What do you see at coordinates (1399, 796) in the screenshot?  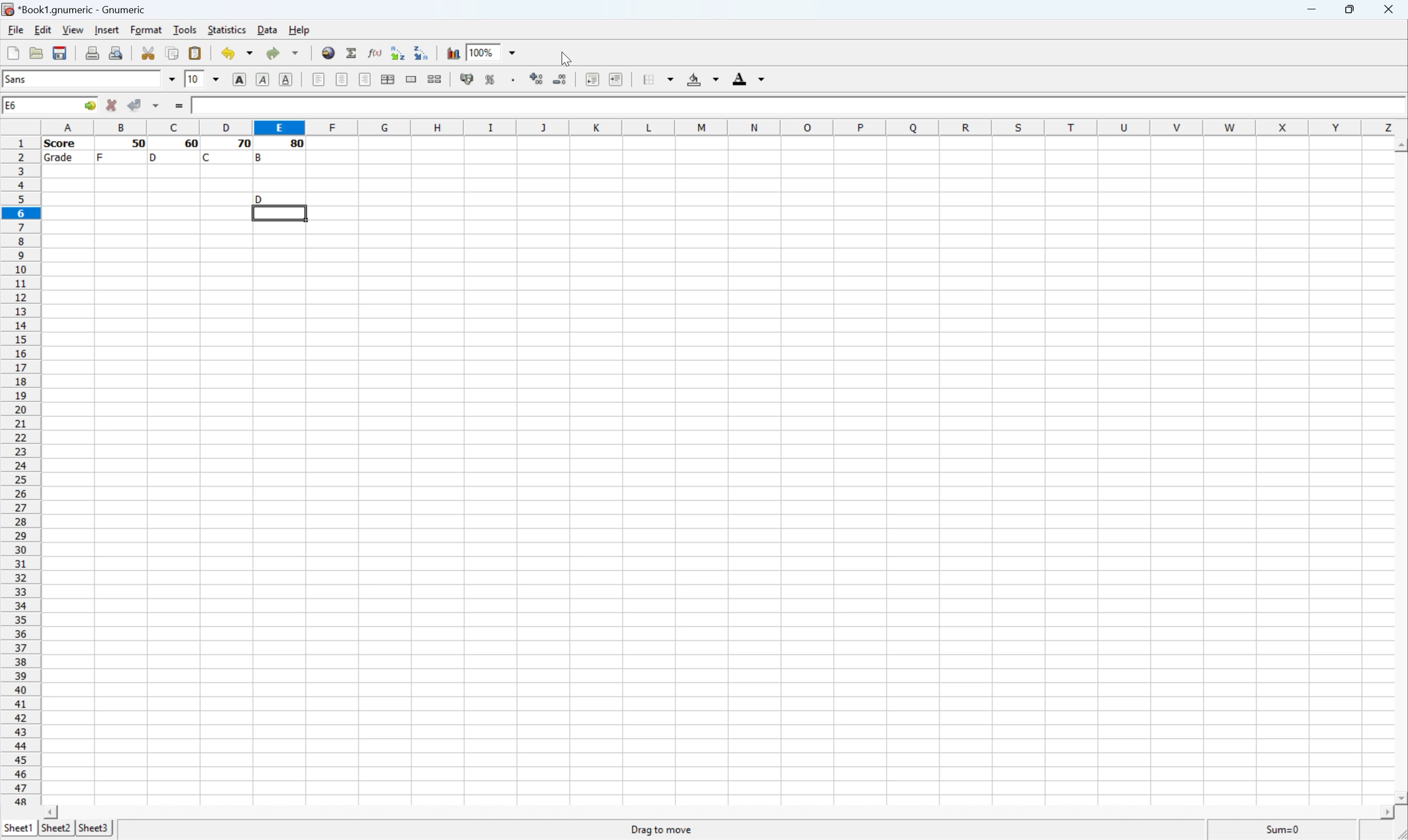 I see `Scroll Down` at bounding box center [1399, 796].